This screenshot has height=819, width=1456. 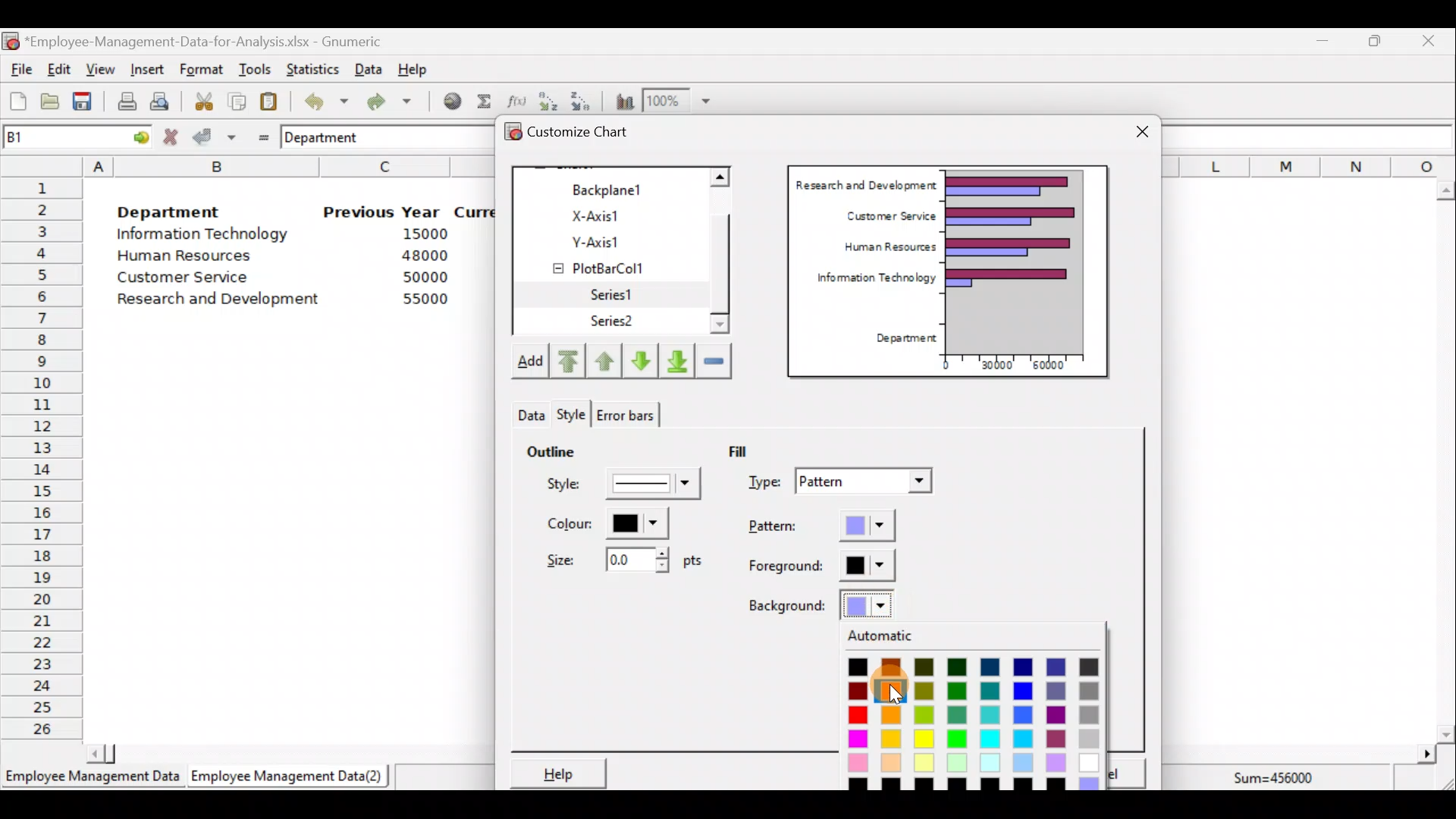 What do you see at coordinates (682, 99) in the screenshot?
I see `Zoom` at bounding box center [682, 99].